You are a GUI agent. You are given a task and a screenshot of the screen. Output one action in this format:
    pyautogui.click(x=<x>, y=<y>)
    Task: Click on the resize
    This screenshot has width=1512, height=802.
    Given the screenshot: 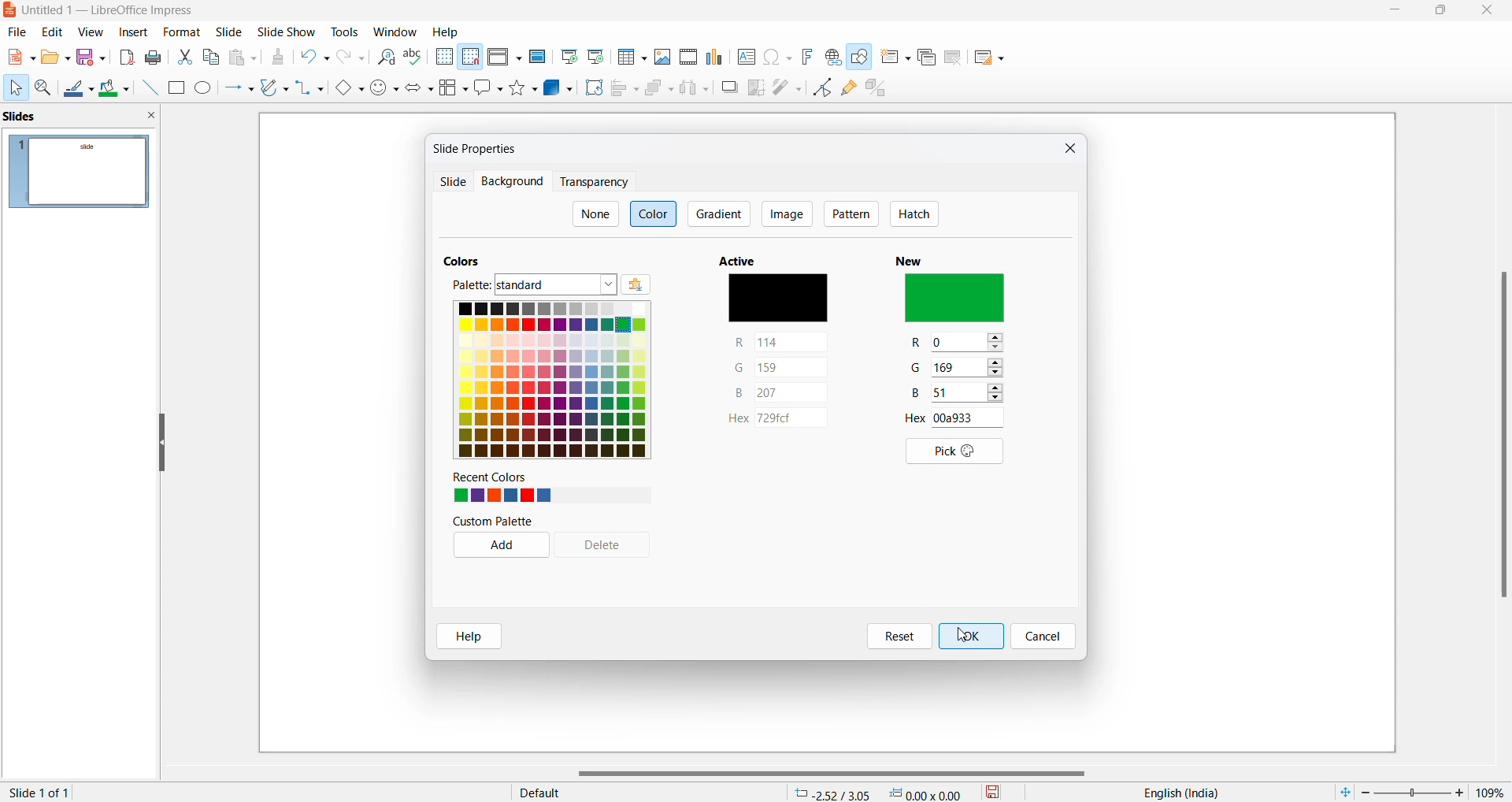 What is the action you would take?
    pyautogui.click(x=161, y=444)
    